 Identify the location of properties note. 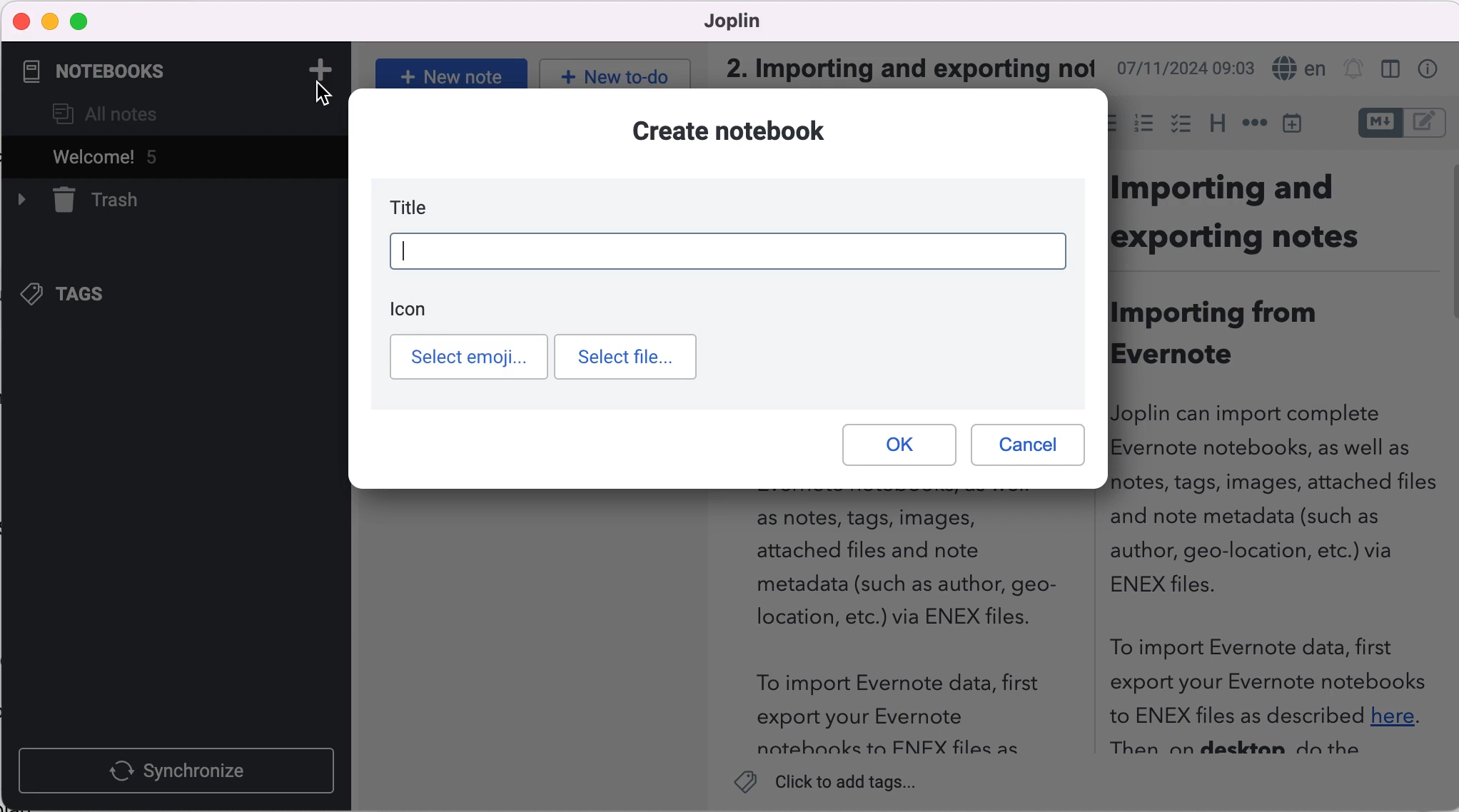
(1430, 68).